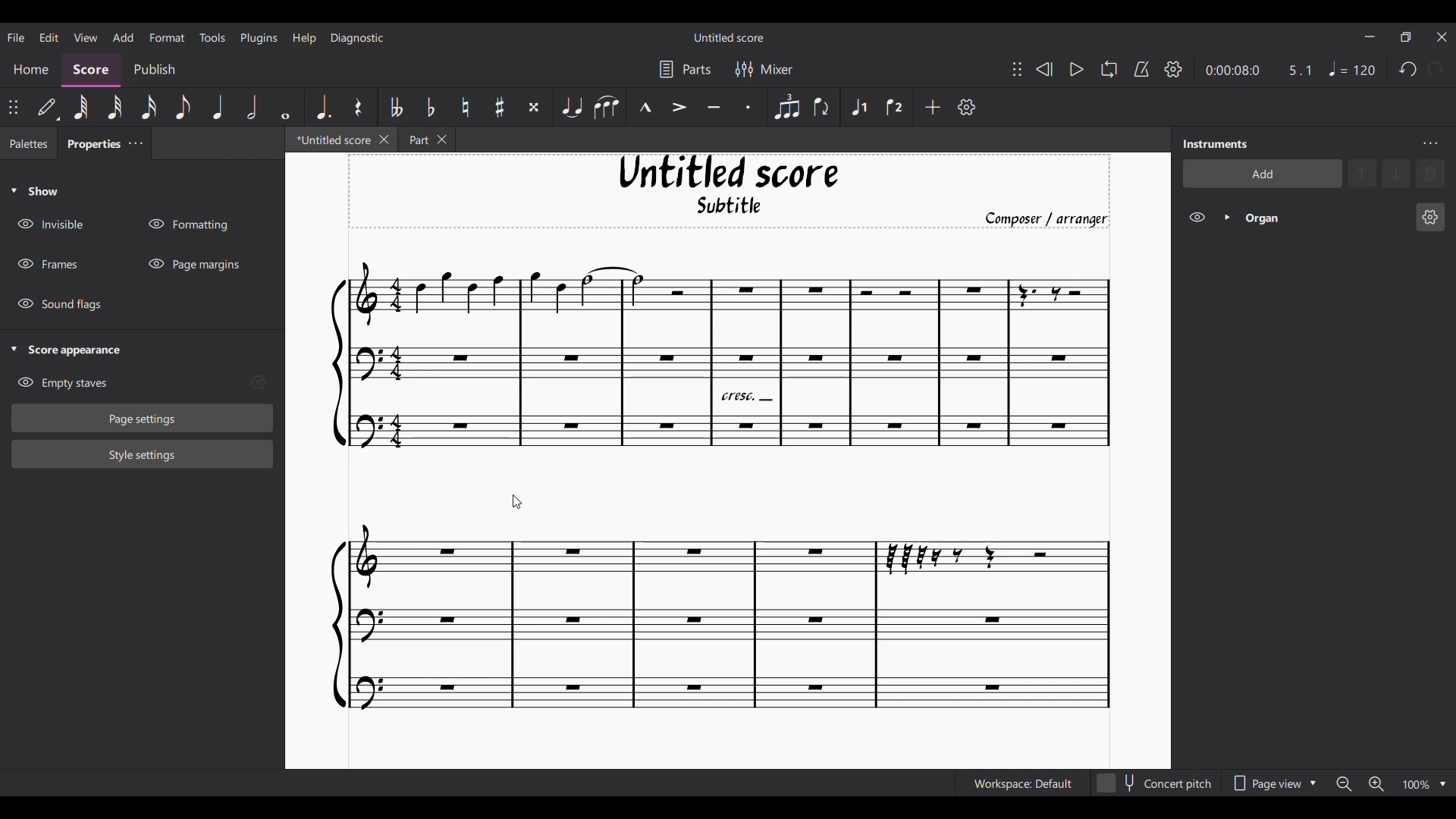 This screenshot has height=819, width=1456. I want to click on Expand Organ, so click(1226, 217).